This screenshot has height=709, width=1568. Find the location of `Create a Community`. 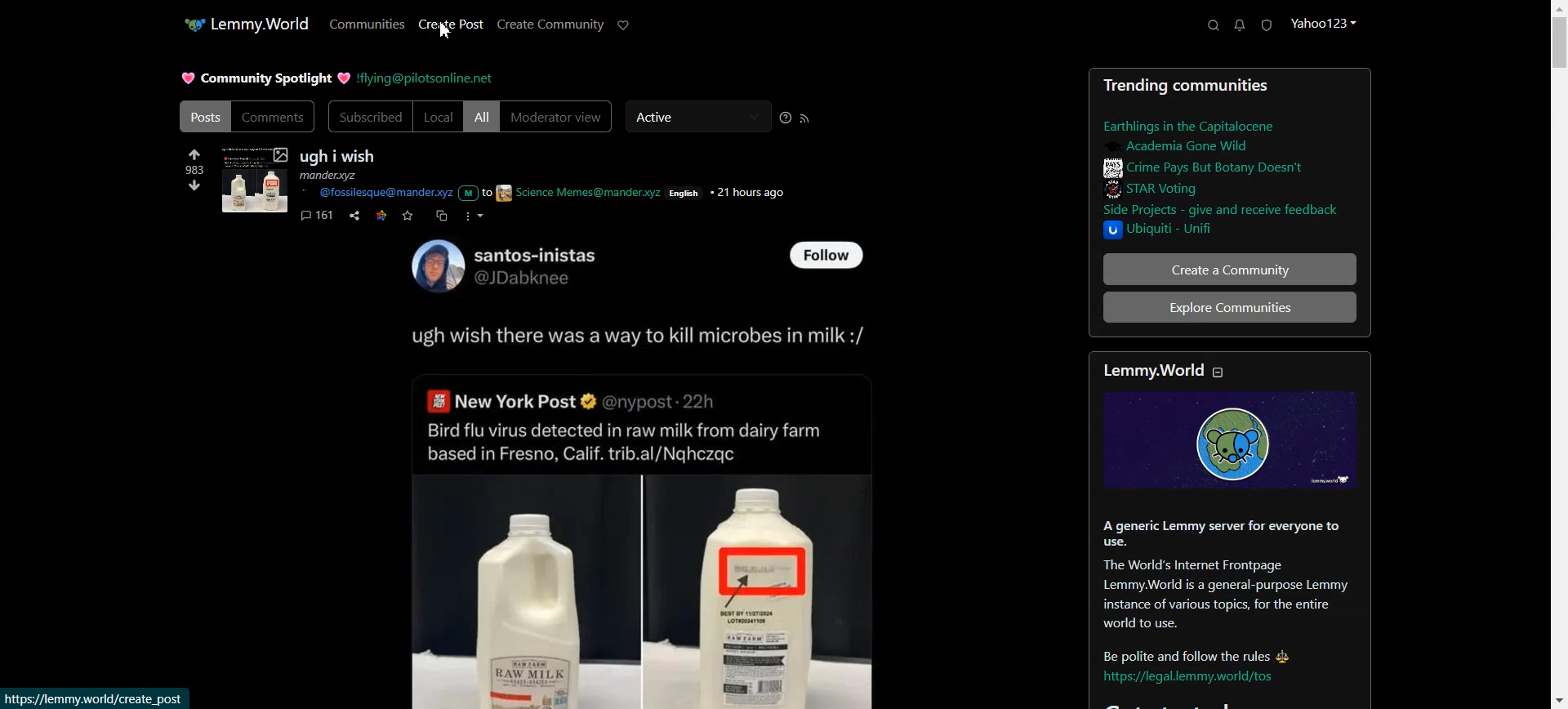

Create a Community is located at coordinates (1229, 267).